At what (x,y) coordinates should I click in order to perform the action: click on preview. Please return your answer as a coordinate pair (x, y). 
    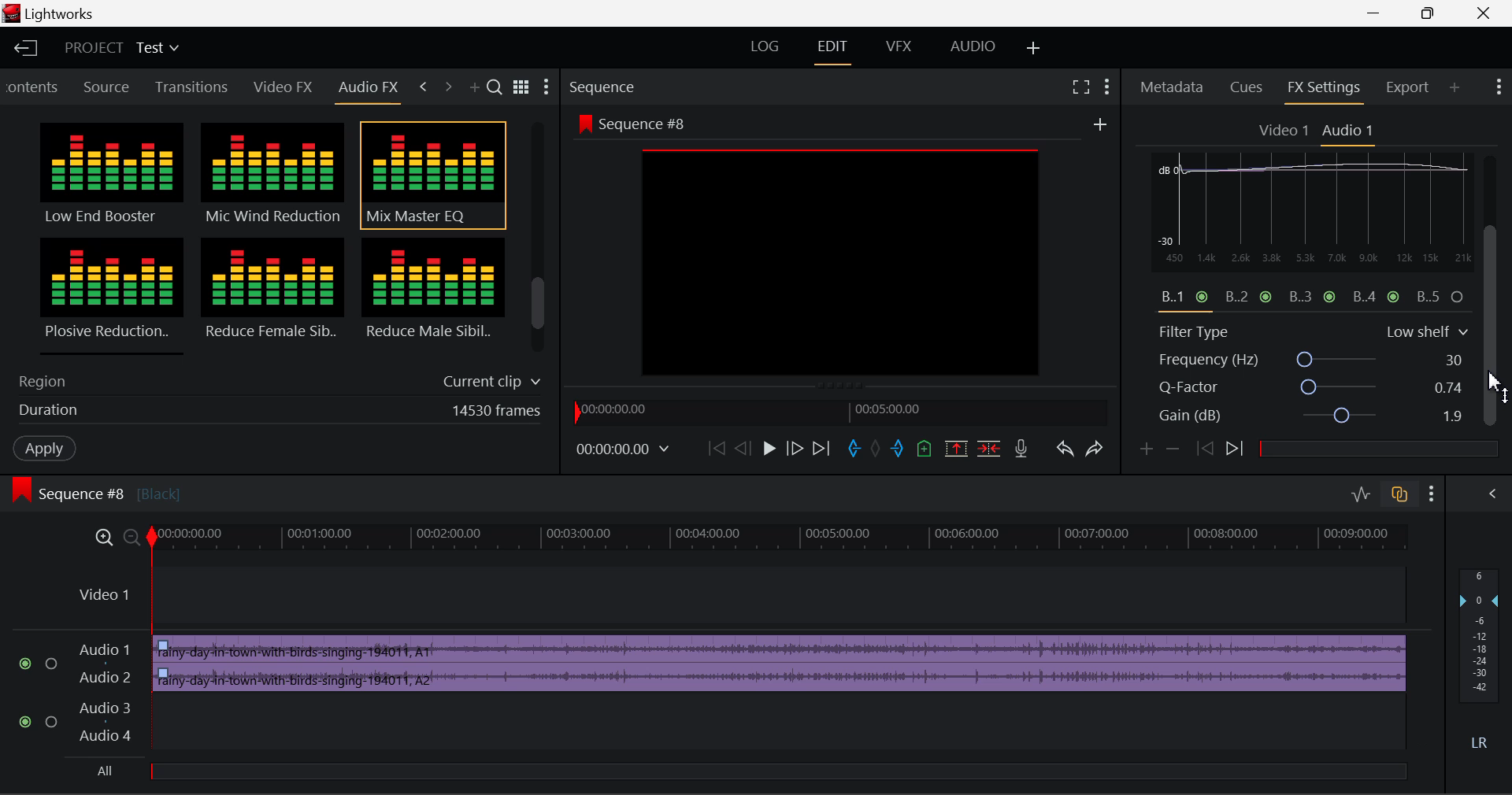
    Looking at the image, I should click on (842, 264).